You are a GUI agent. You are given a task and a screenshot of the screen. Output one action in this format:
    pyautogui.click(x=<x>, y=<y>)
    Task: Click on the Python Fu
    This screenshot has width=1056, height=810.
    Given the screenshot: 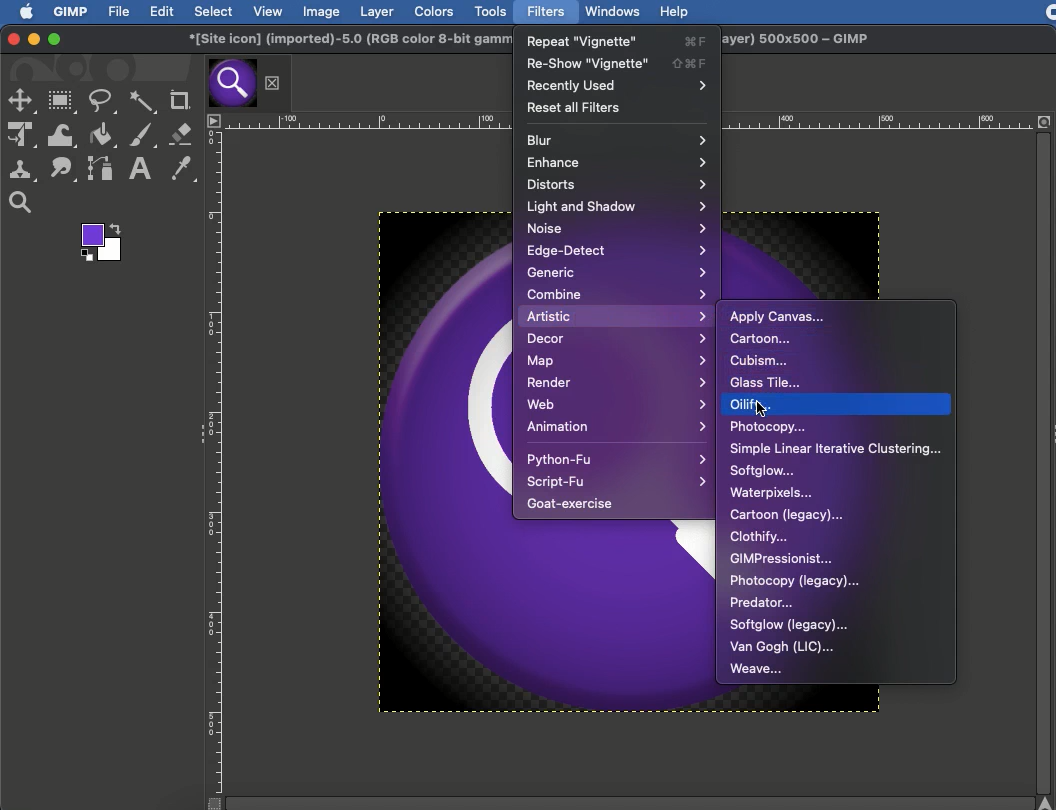 What is the action you would take?
    pyautogui.click(x=615, y=459)
    